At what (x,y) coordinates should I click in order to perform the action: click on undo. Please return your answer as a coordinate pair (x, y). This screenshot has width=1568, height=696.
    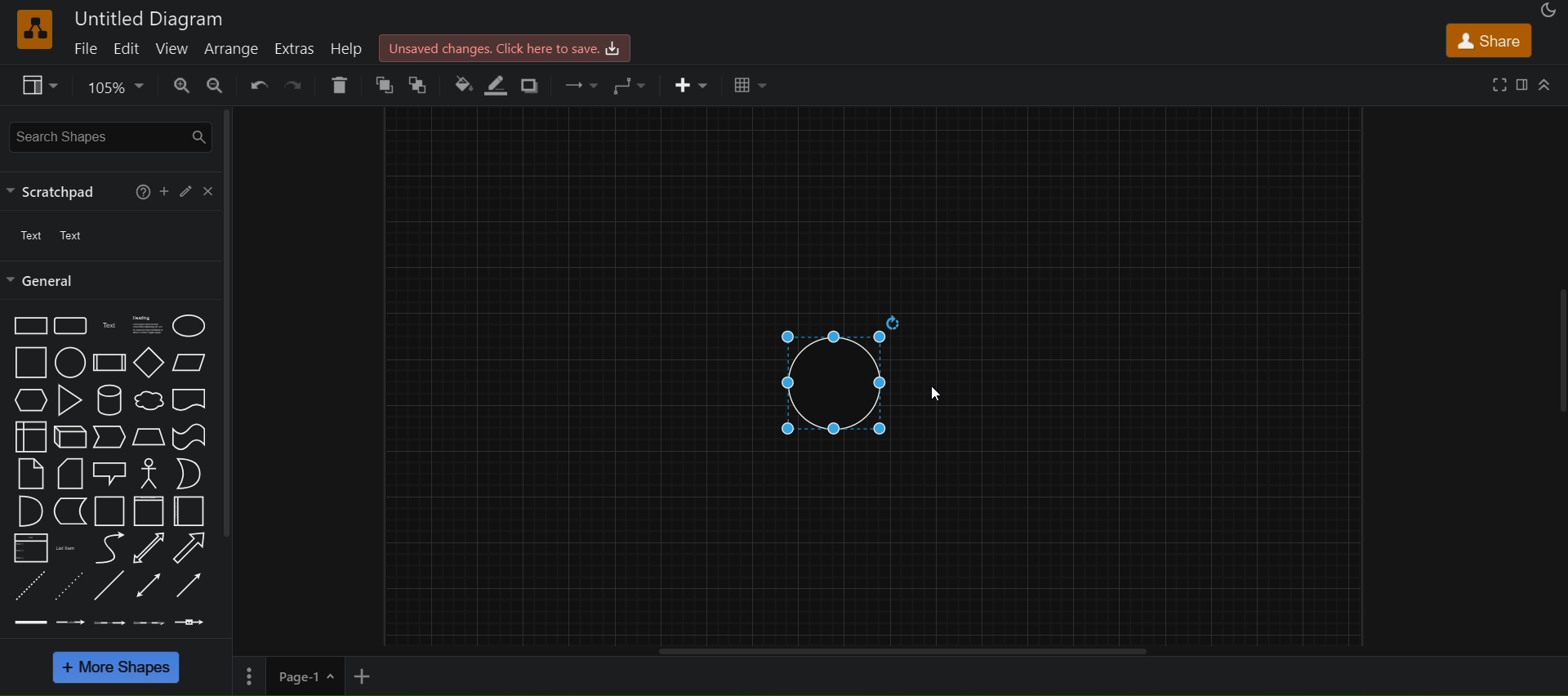
    Looking at the image, I should click on (256, 85).